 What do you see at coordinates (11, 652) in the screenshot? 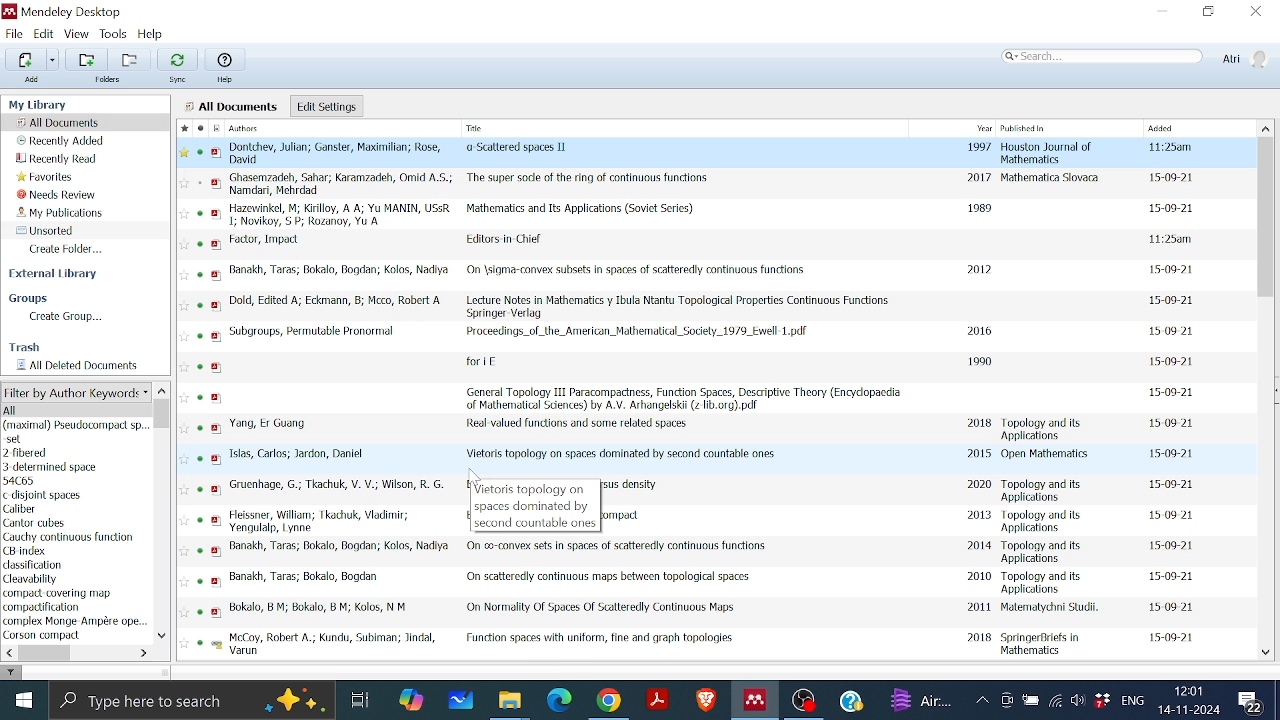
I see `Move left in filter by author keyword` at bounding box center [11, 652].